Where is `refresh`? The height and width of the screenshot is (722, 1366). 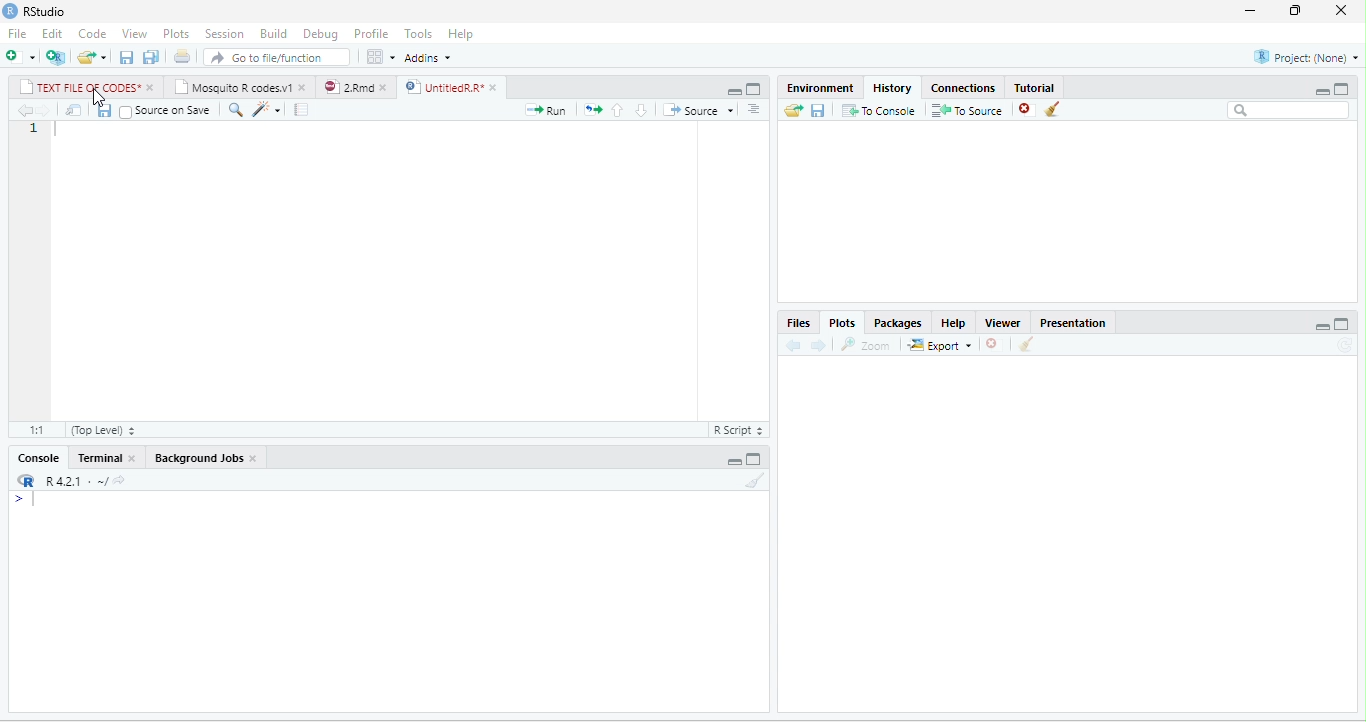 refresh is located at coordinates (1345, 345).